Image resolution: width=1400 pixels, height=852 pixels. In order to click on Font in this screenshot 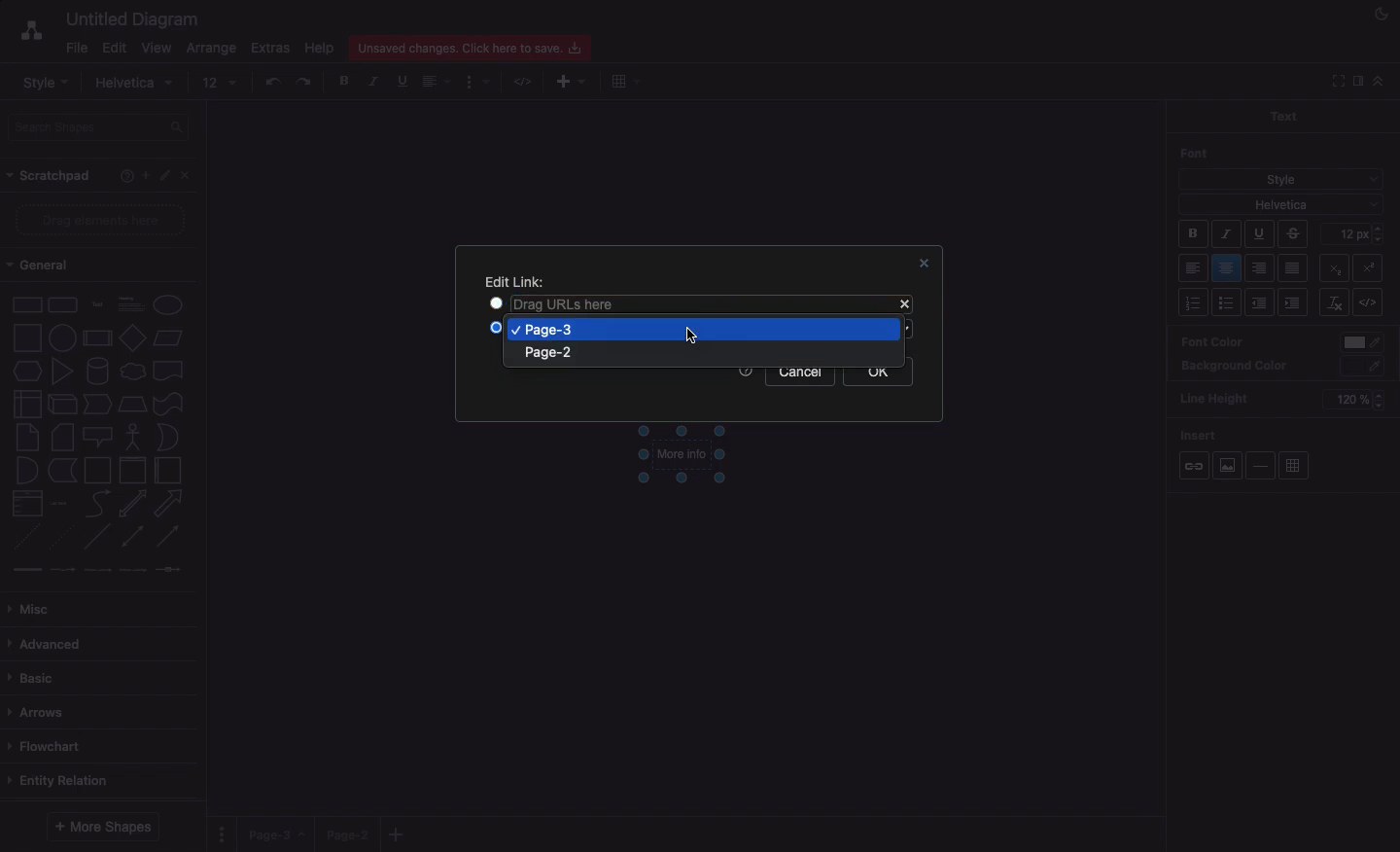, I will do `click(1196, 153)`.